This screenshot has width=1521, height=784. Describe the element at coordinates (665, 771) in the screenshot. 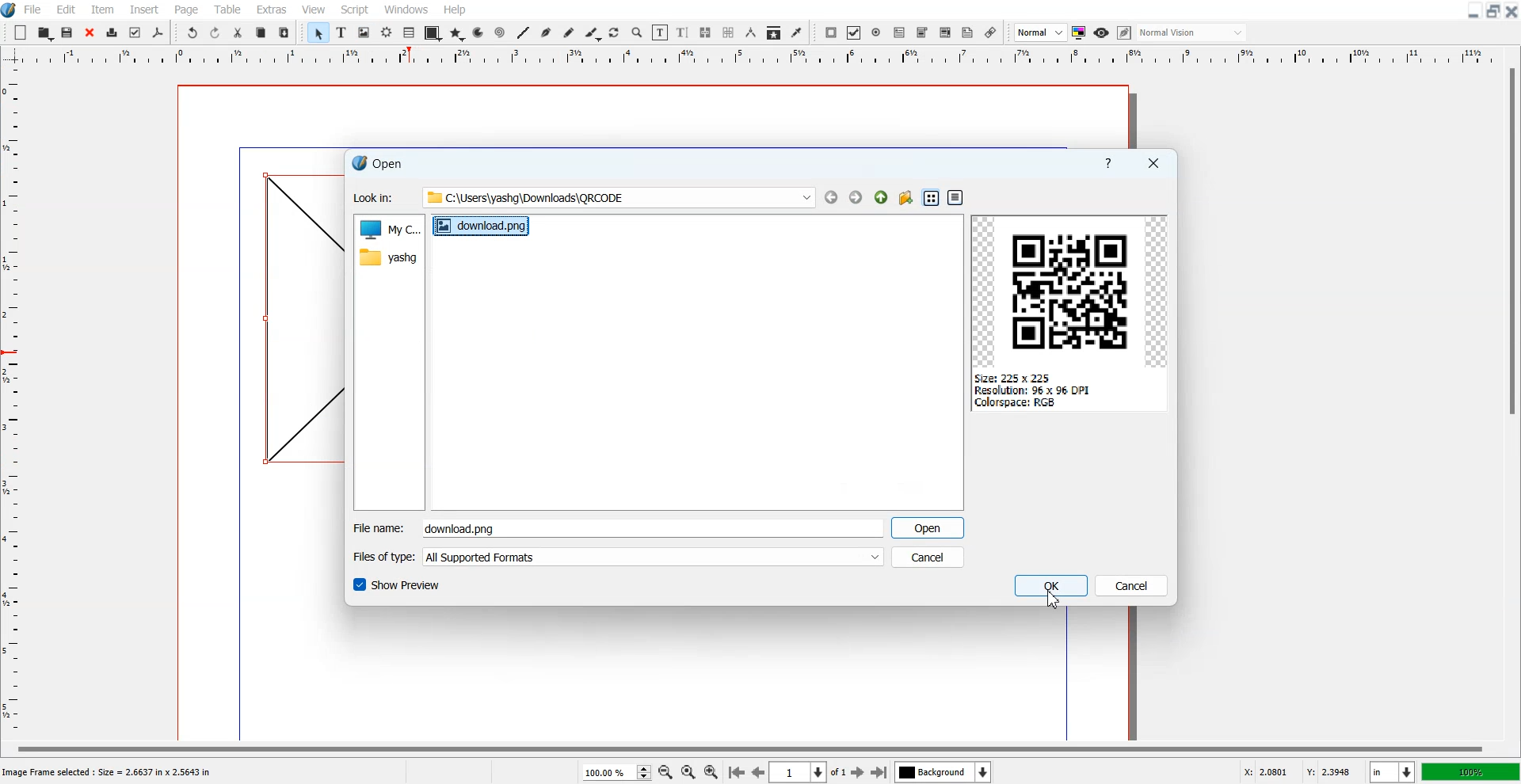

I see `Zoom Out` at that location.